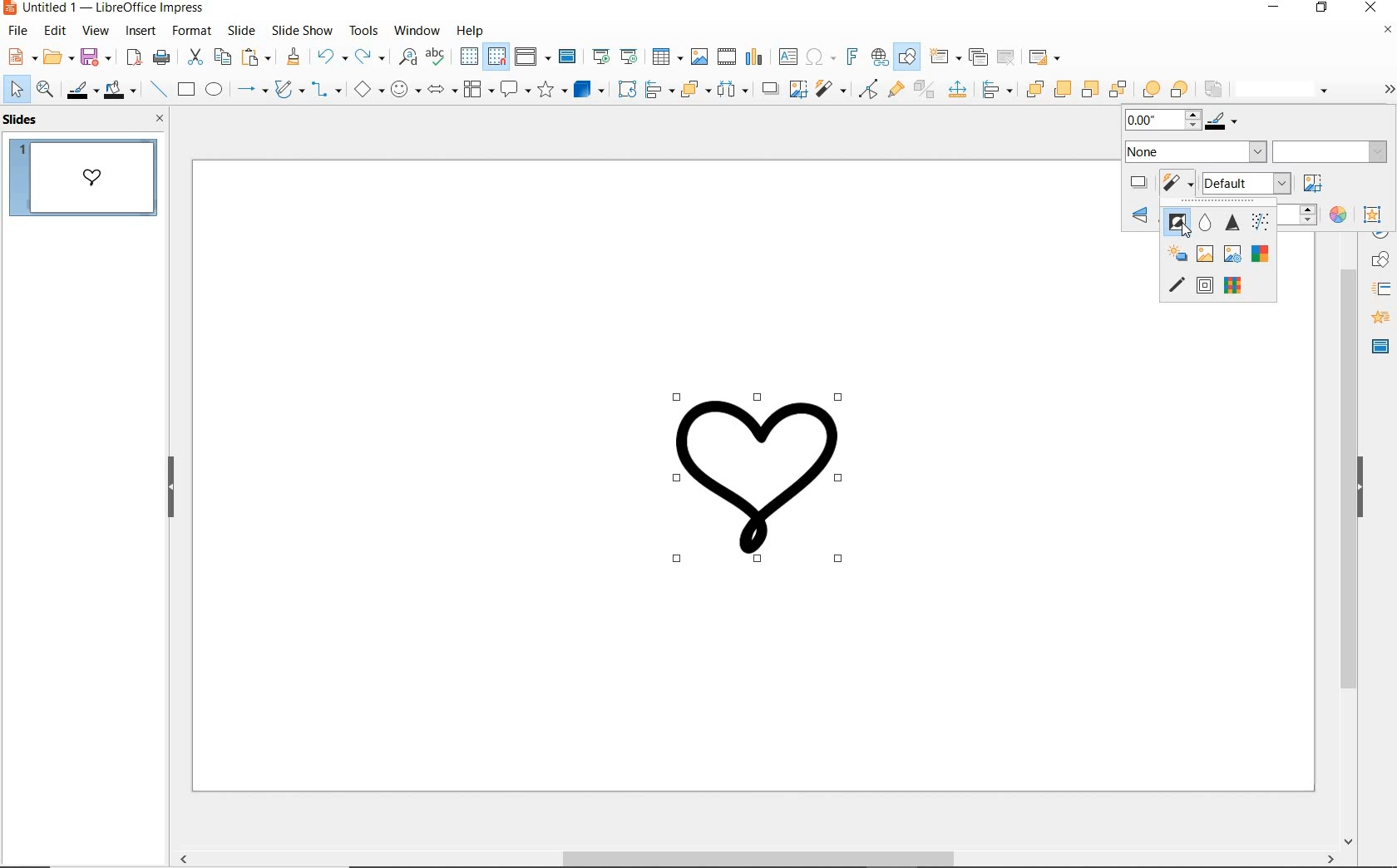  What do you see at coordinates (866, 90) in the screenshot?
I see `toggle point edit mode` at bounding box center [866, 90].